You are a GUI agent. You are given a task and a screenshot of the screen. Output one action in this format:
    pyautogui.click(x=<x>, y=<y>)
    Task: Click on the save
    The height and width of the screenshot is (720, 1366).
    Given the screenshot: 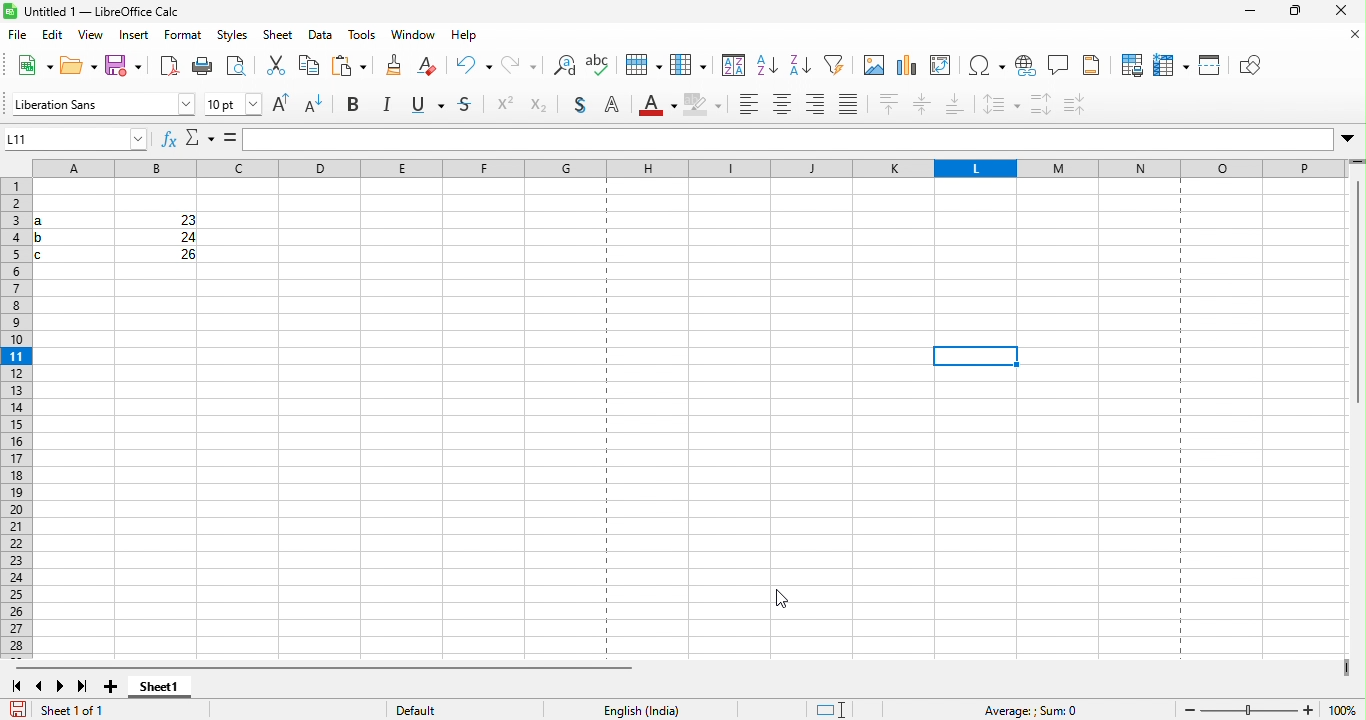 What is the action you would take?
    pyautogui.click(x=119, y=67)
    